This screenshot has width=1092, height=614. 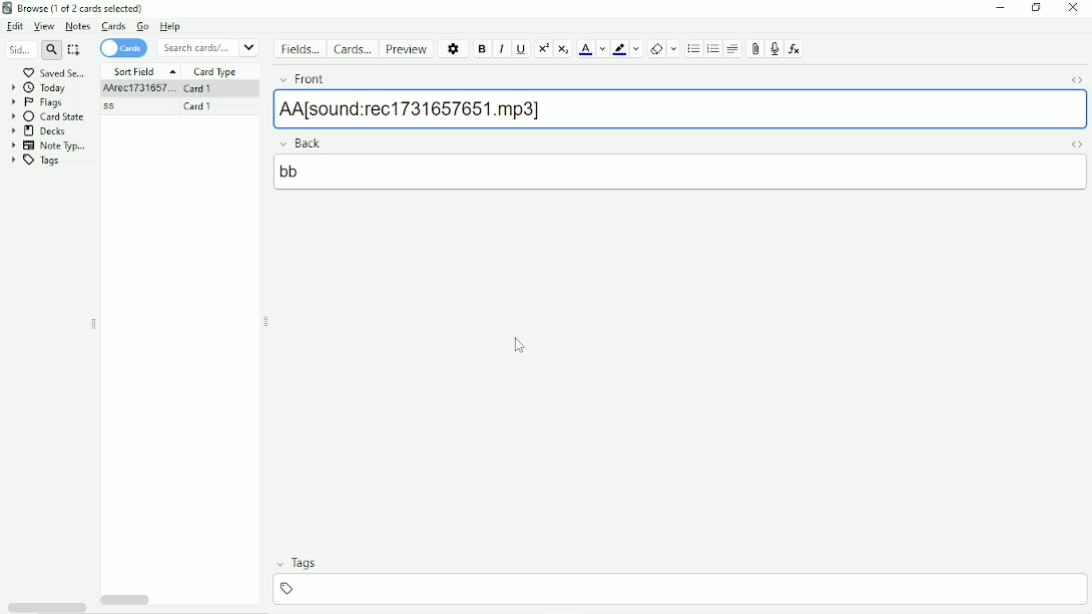 I want to click on View, so click(x=44, y=26).